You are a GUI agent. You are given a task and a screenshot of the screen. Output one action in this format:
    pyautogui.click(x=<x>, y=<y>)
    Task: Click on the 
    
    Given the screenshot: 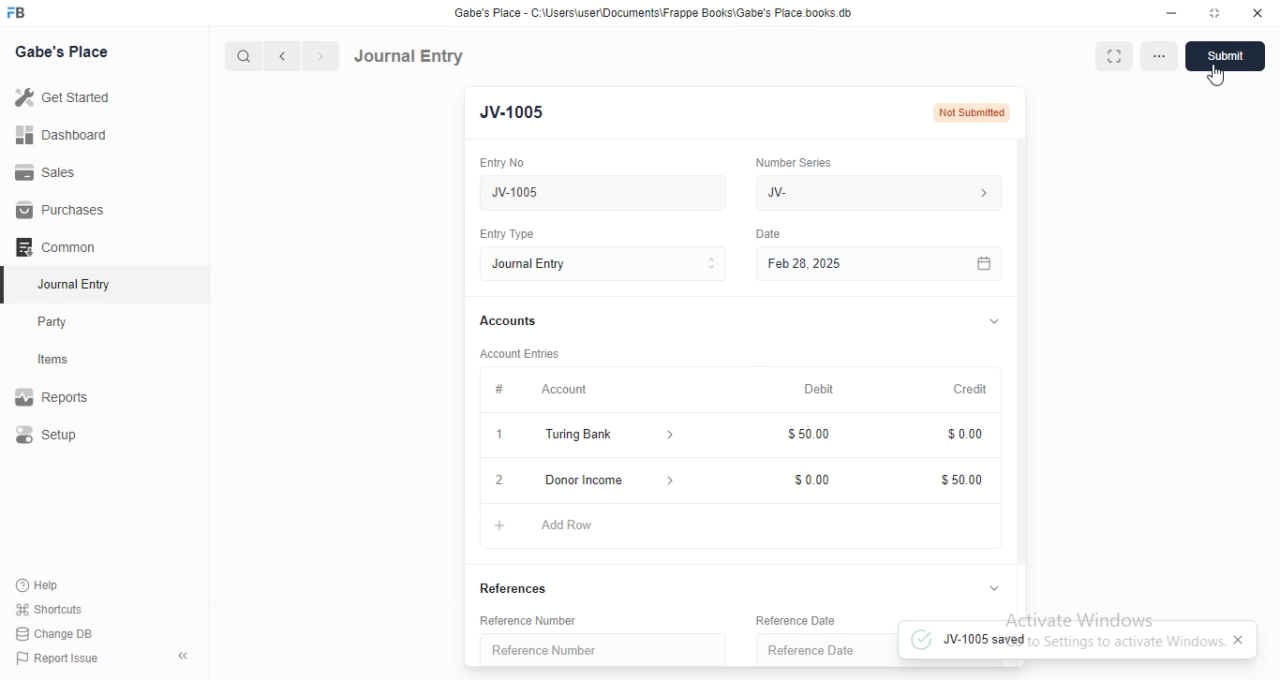 What is the action you would take?
    pyautogui.click(x=771, y=236)
    